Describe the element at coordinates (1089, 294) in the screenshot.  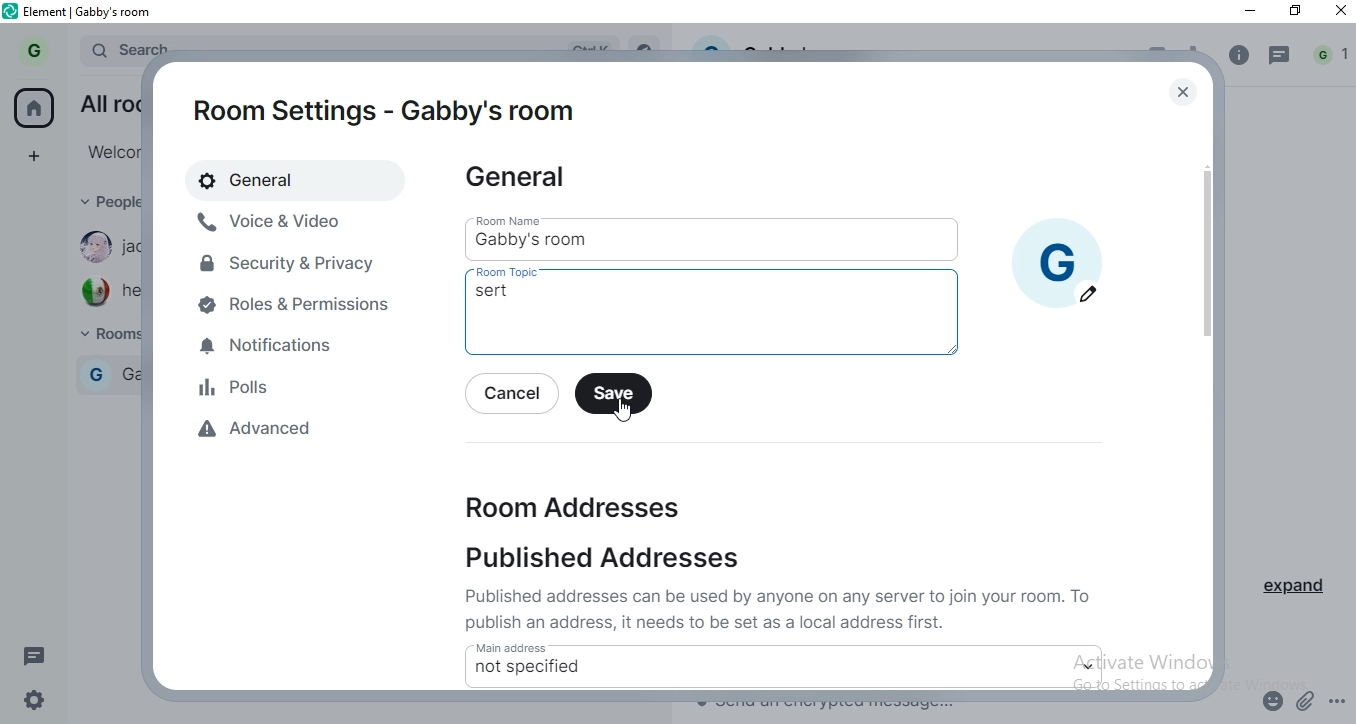
I see `edit` at that location.